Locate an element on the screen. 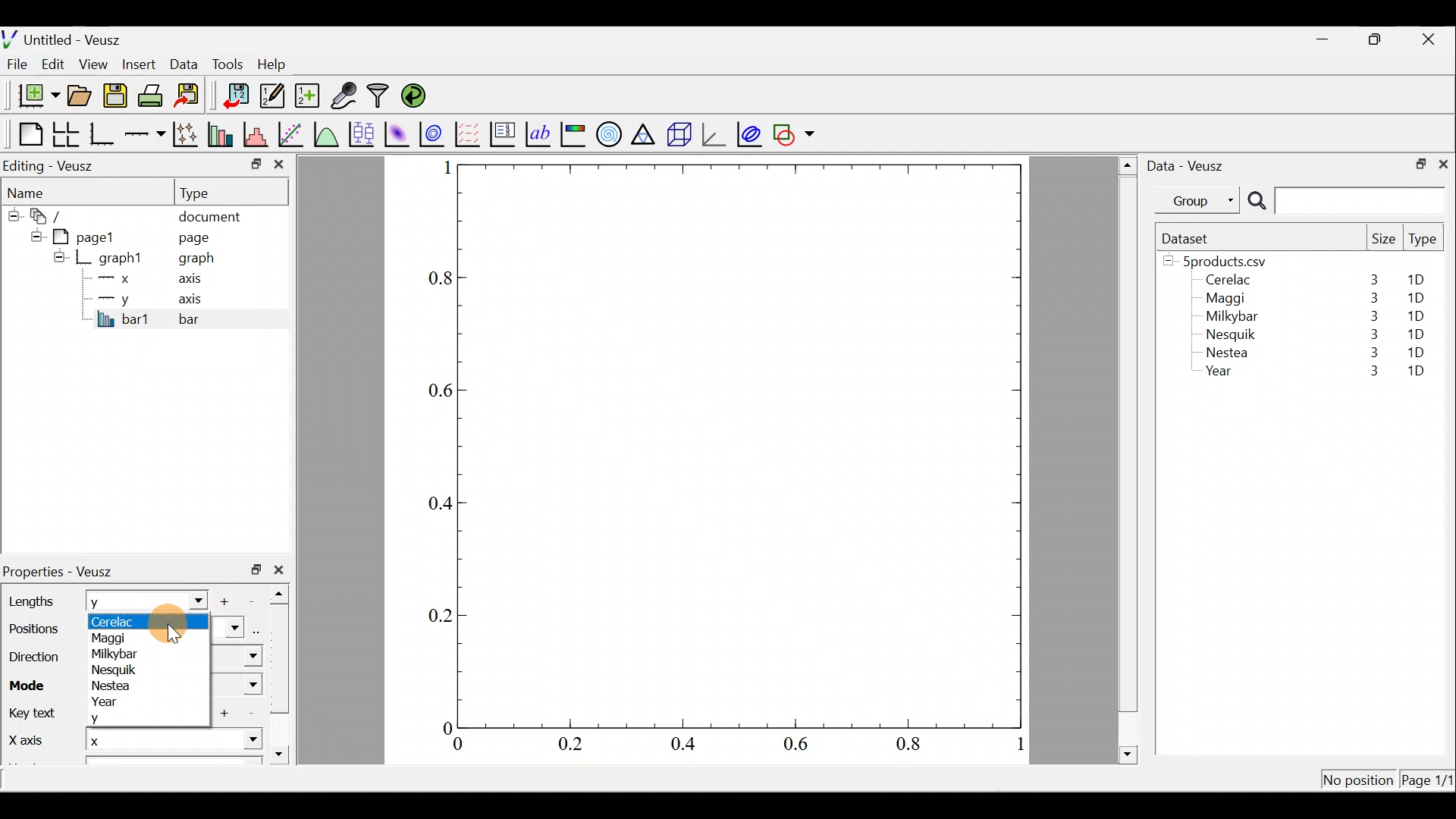 Image resolution: width=1456 pixels, height=819 pixels. hide is located at coordinates (12, 213).